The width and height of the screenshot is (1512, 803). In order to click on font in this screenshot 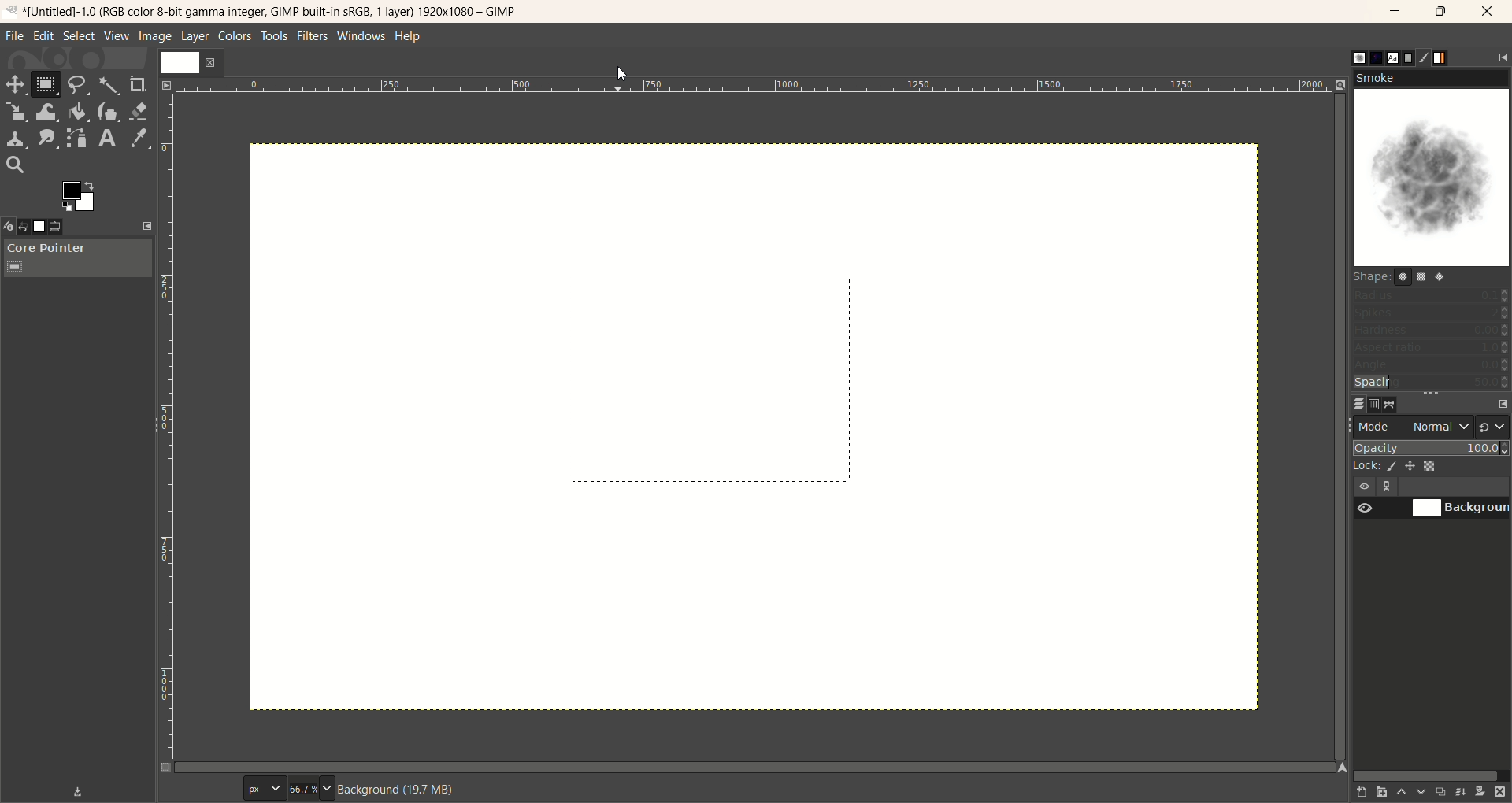, I will do `click(1388, 57)`.